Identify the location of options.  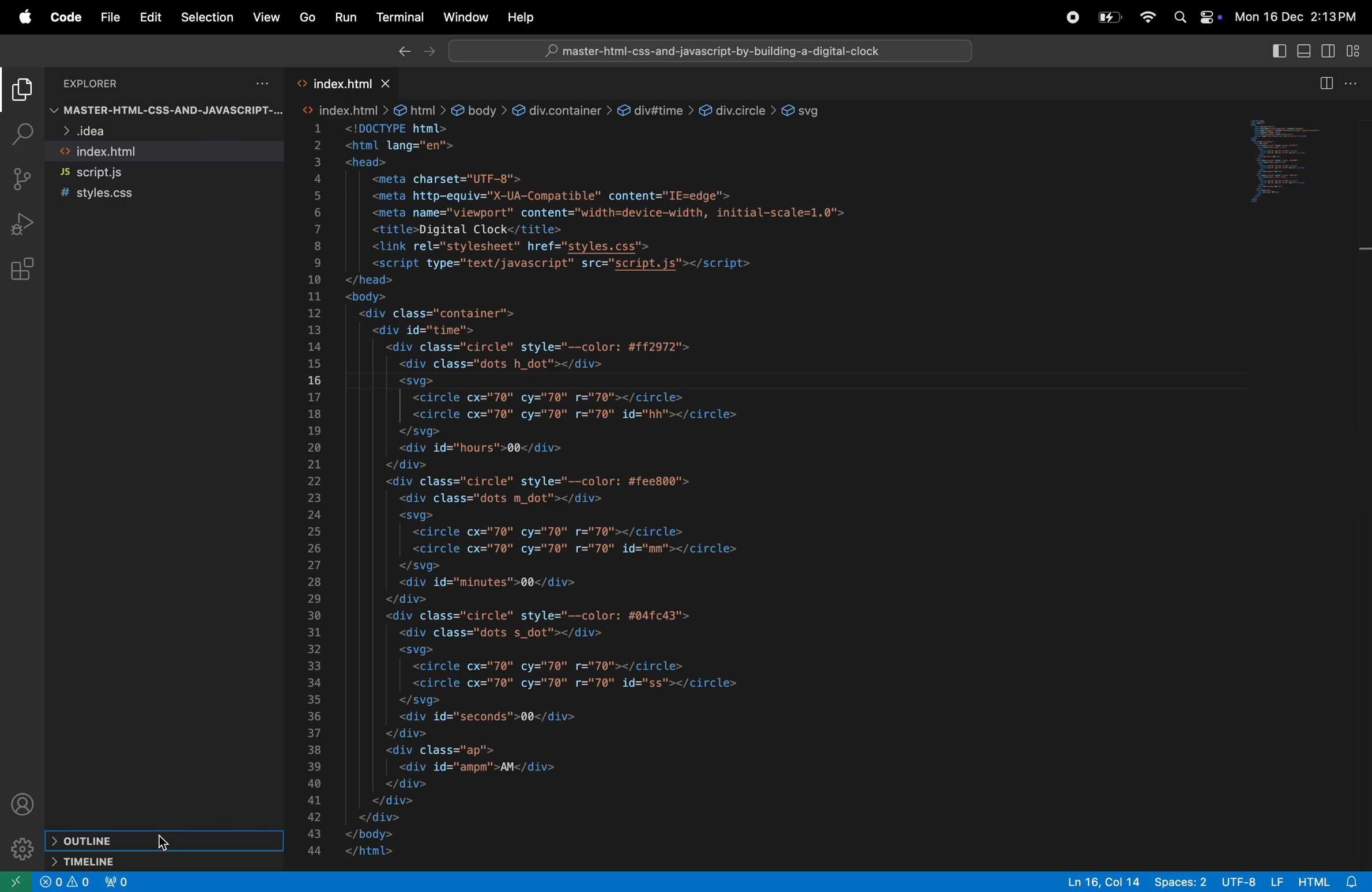
(258, 84).